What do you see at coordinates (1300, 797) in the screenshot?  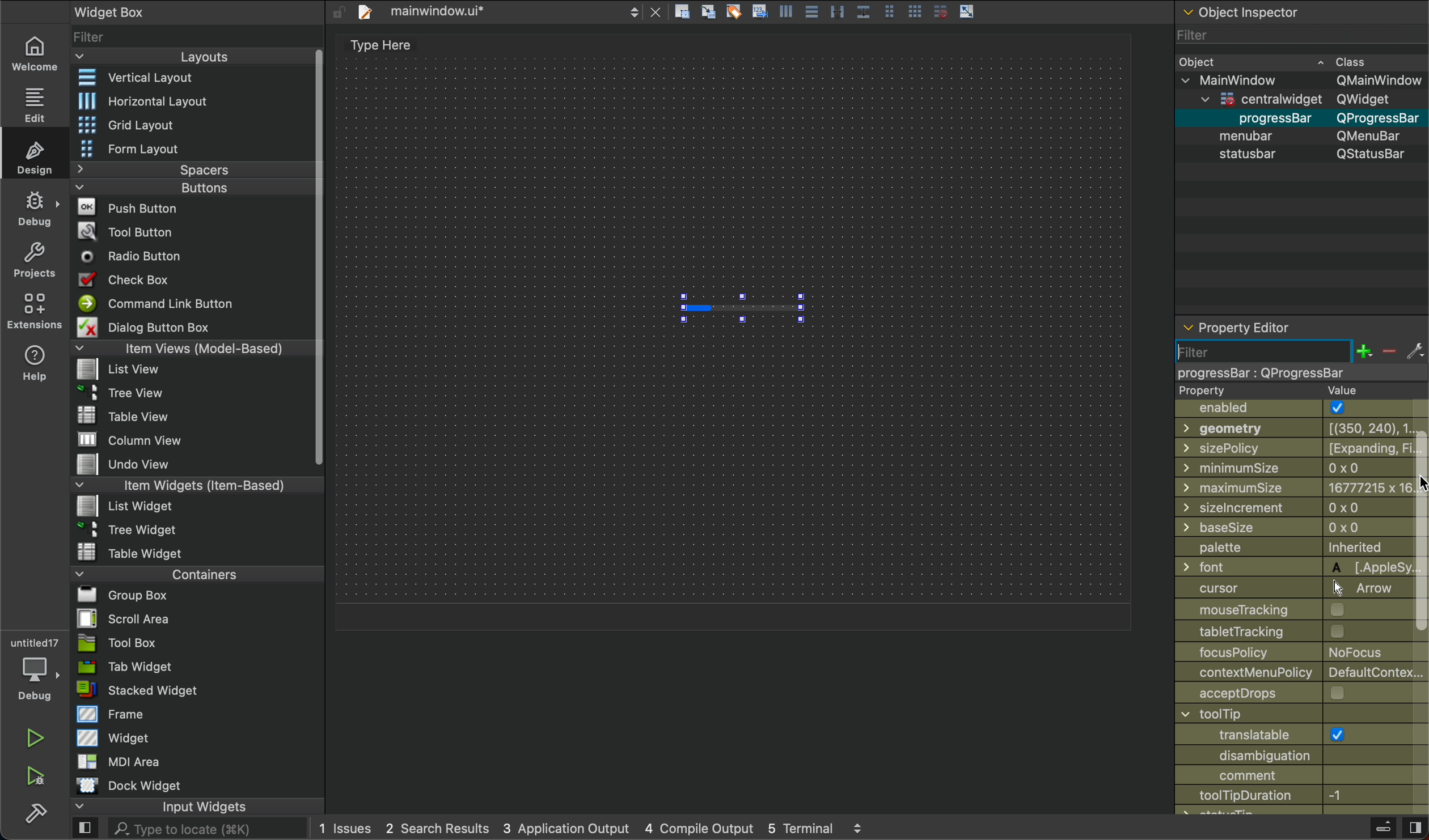 I see `tooldipDuratin` at bounding box center [1300, 797].